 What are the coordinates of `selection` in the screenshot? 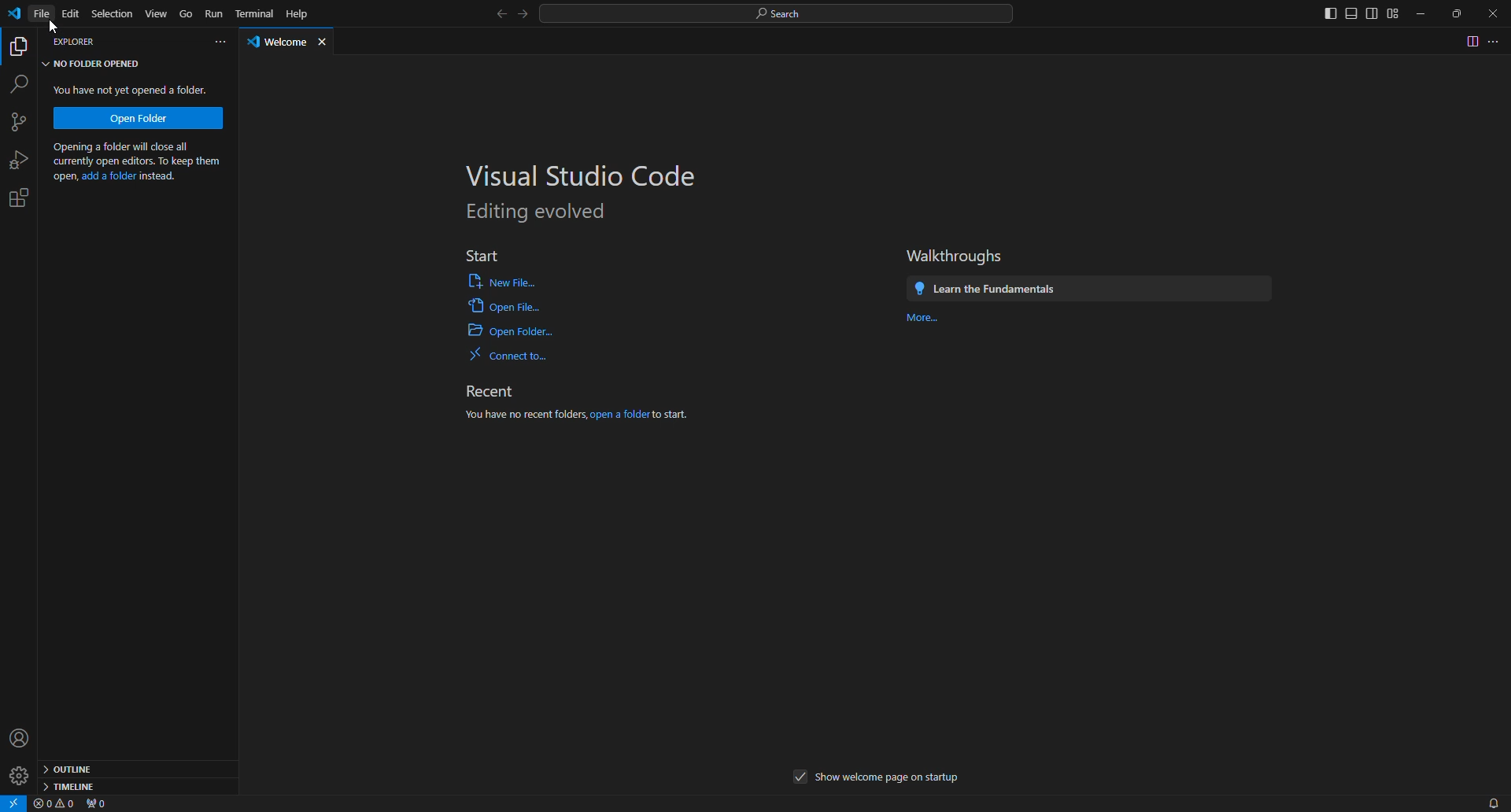 It's located at (111, 13).